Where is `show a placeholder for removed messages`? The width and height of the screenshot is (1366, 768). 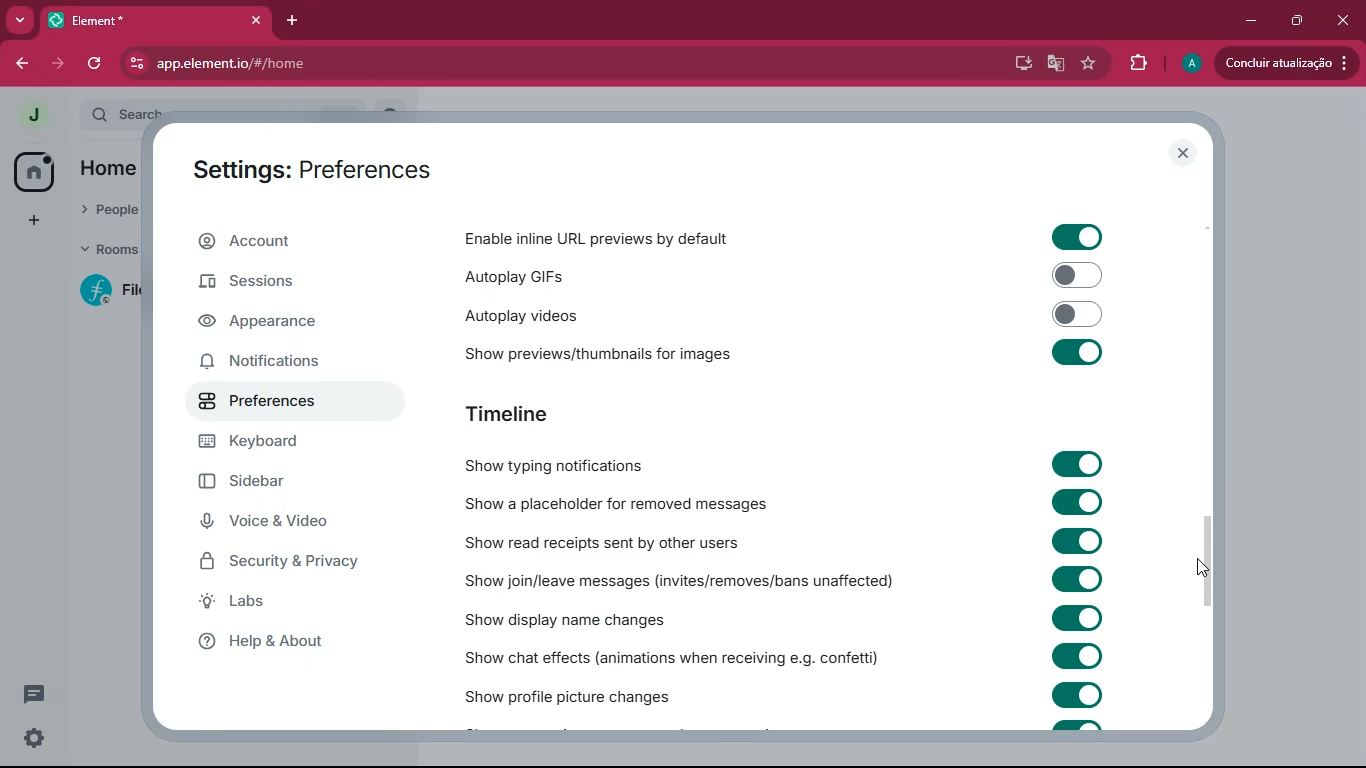 show a placeholder for removed messages is located at coordinates (616, 505).